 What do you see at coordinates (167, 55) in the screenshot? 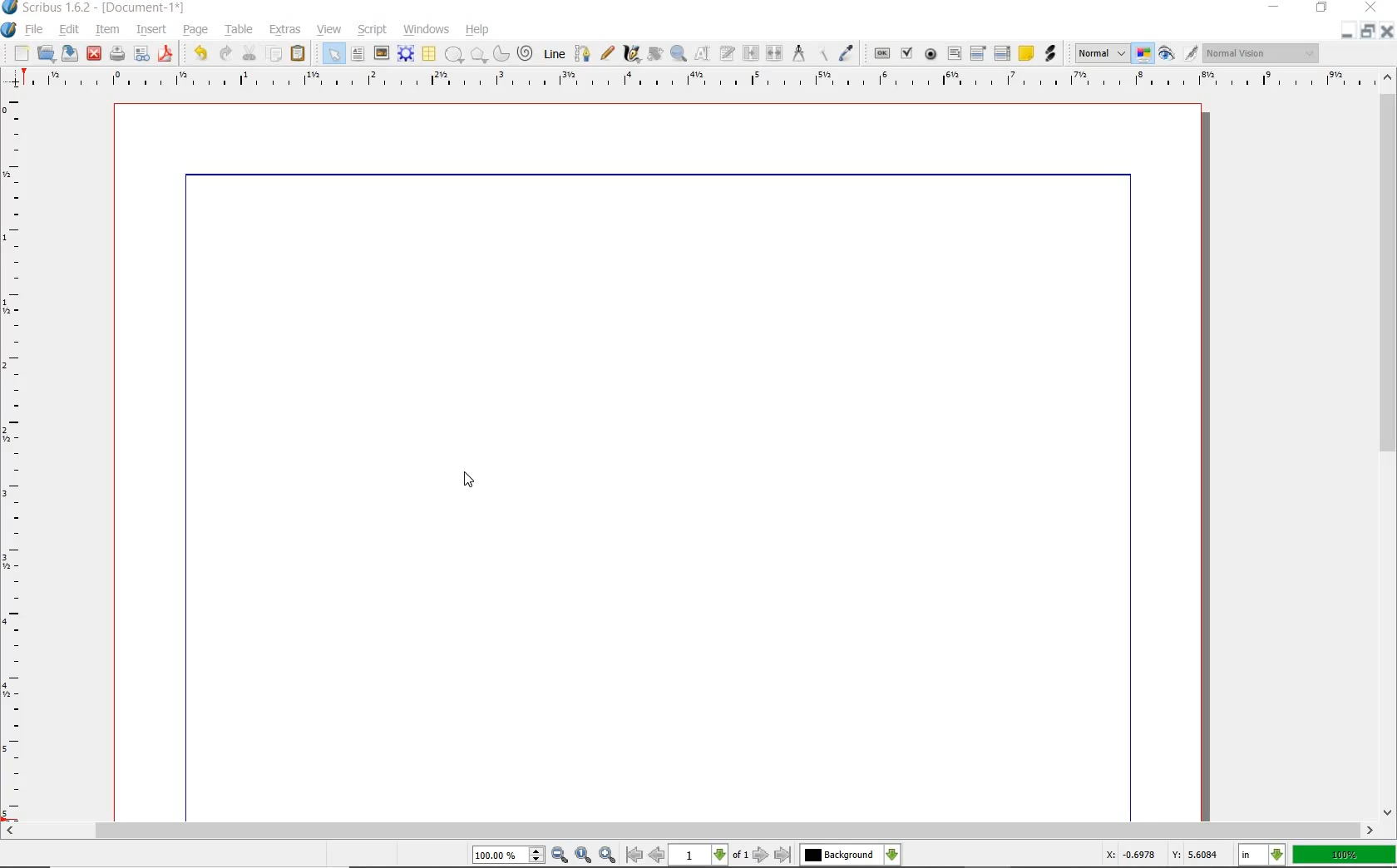
I see `SAVE AS PDF` at bounding box center [167, 55].